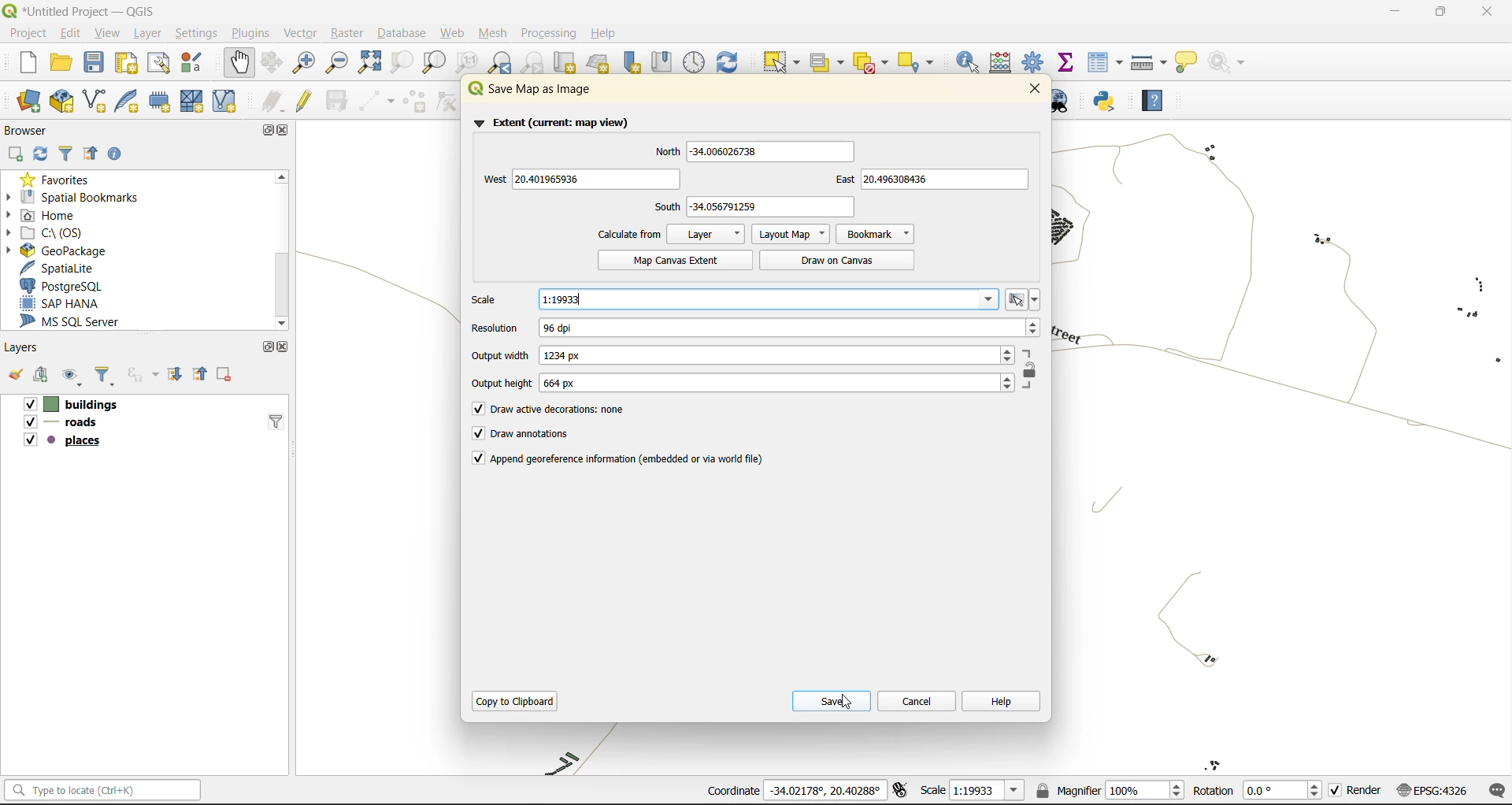 The image size is (1512, 805). I want to click on spatialite, so click(61, 267).